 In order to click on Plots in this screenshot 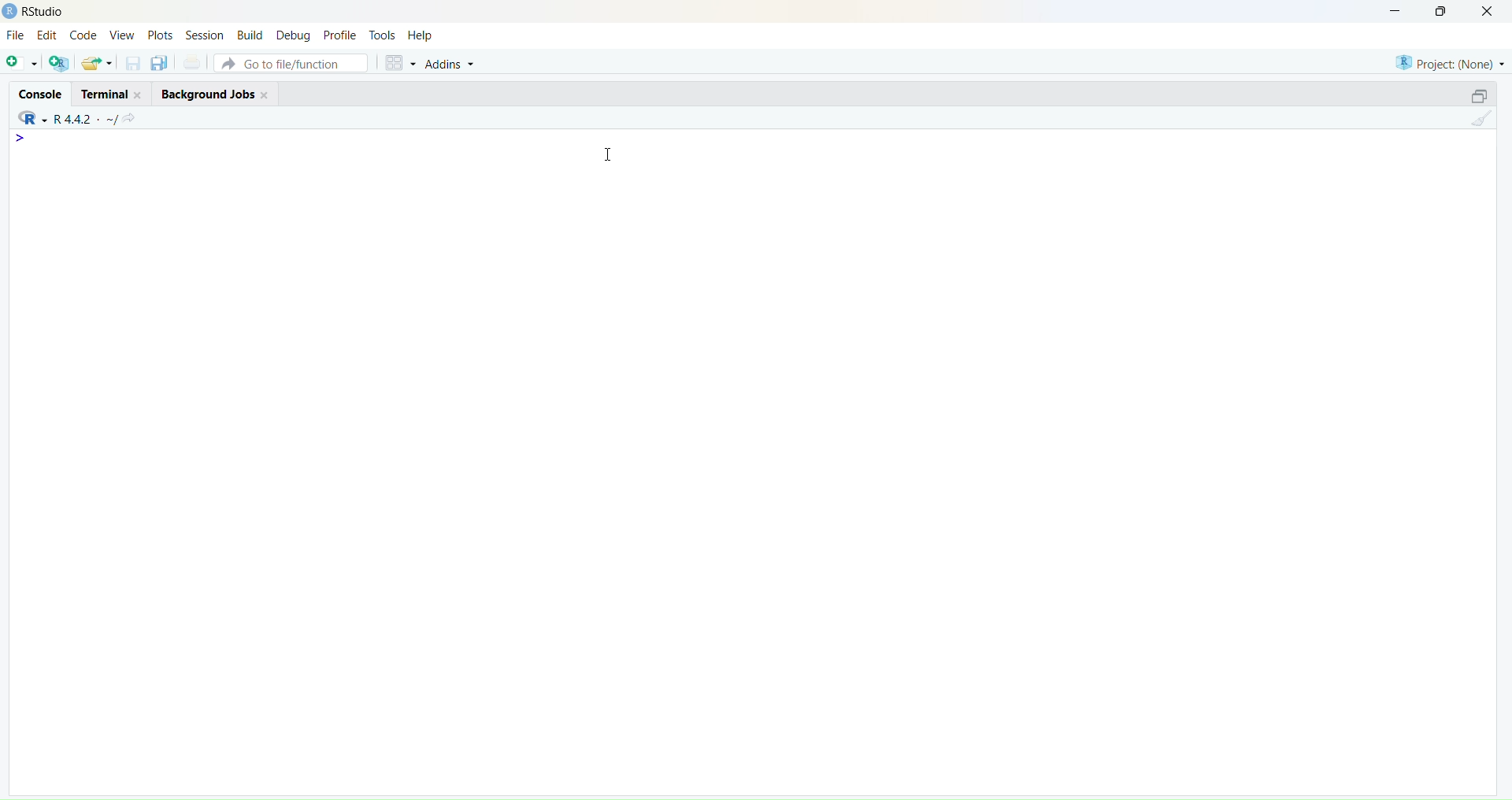, I will do `click(160, 33)`.